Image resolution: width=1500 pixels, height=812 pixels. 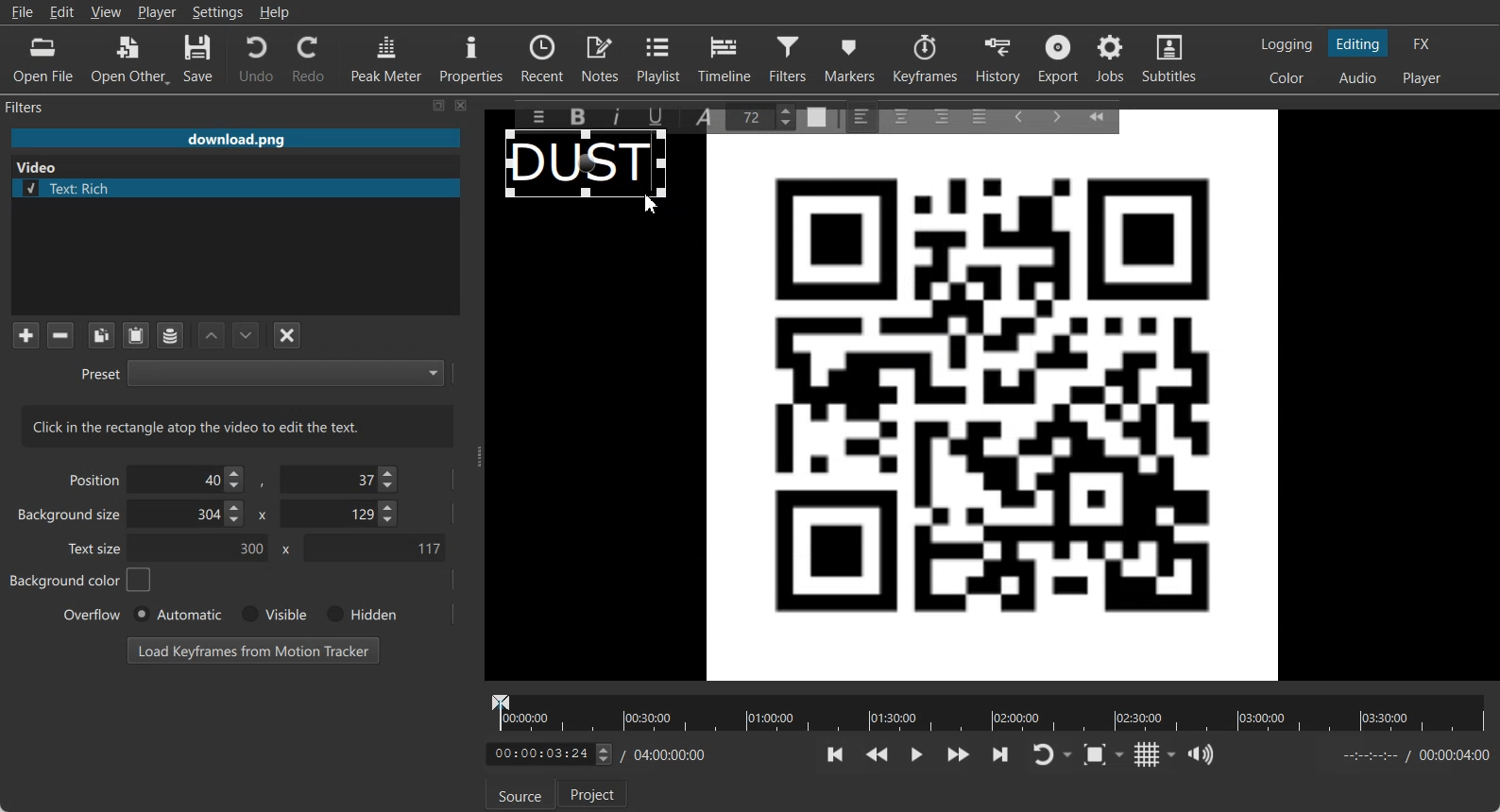 I want to click on Collapse Toolbar, so click(x=1105, y=113).